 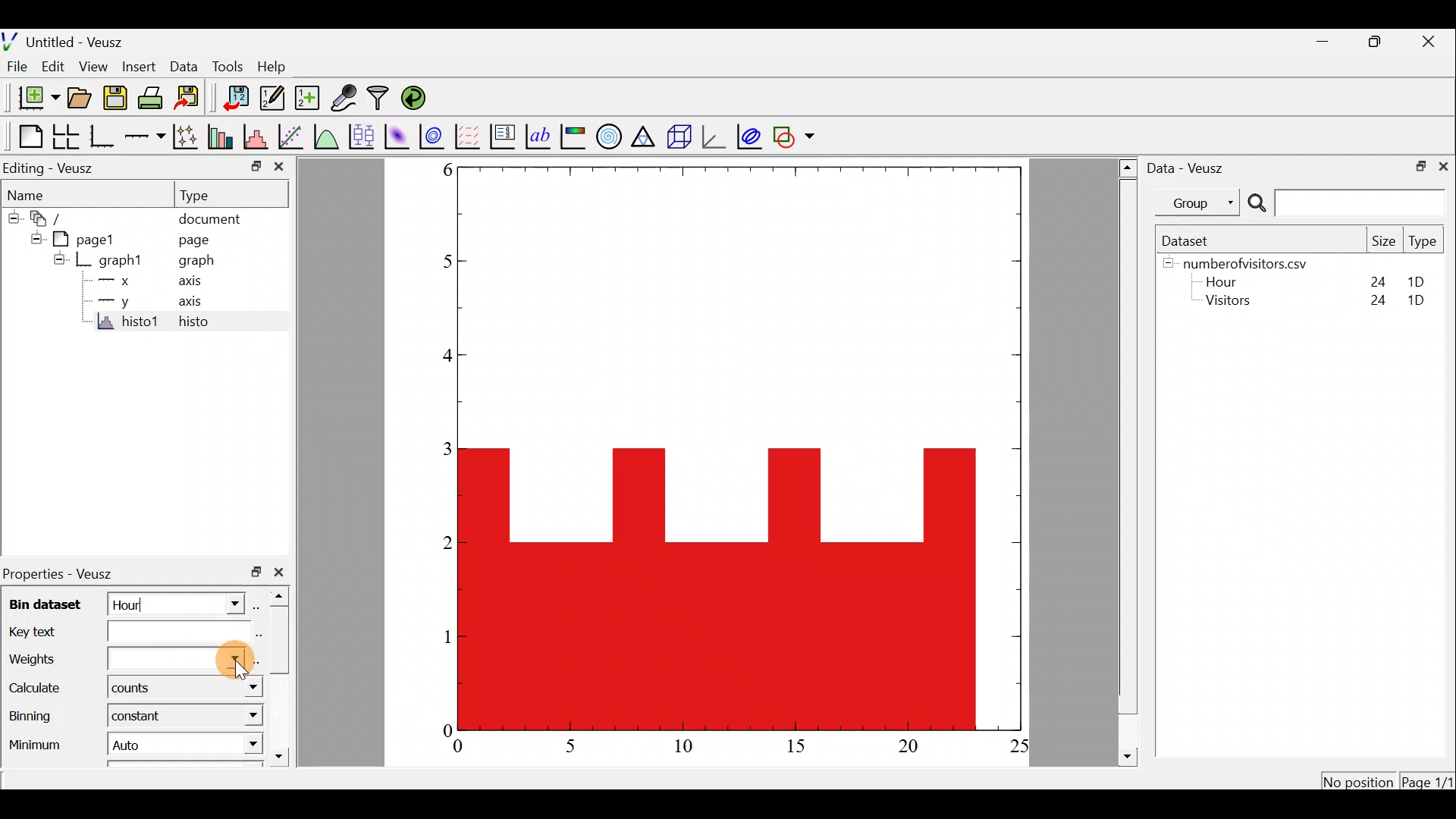 I want to click on Cursor, so click(x=214, y=660).